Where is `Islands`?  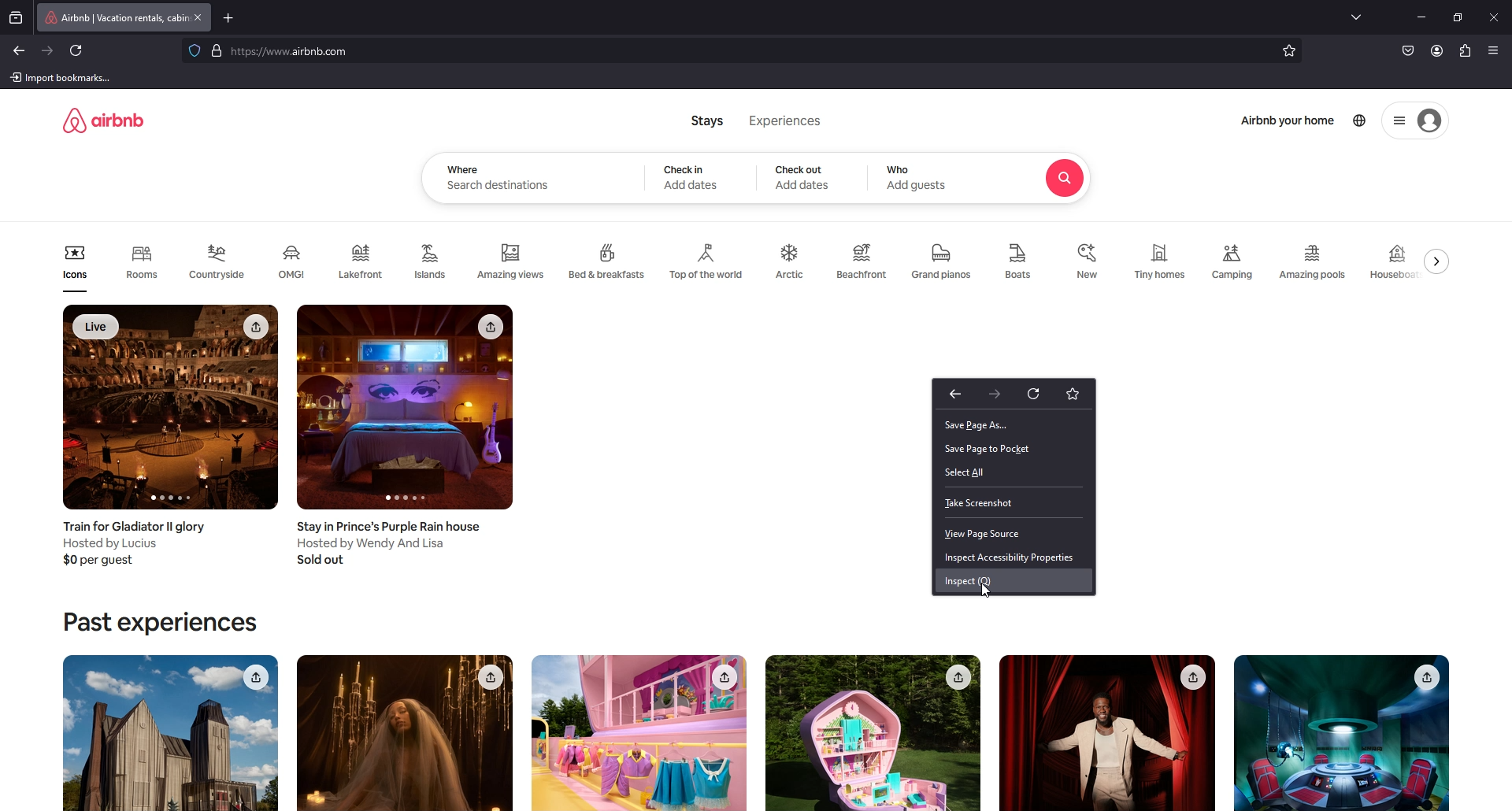
Islands is located at coordinates (434, 260).